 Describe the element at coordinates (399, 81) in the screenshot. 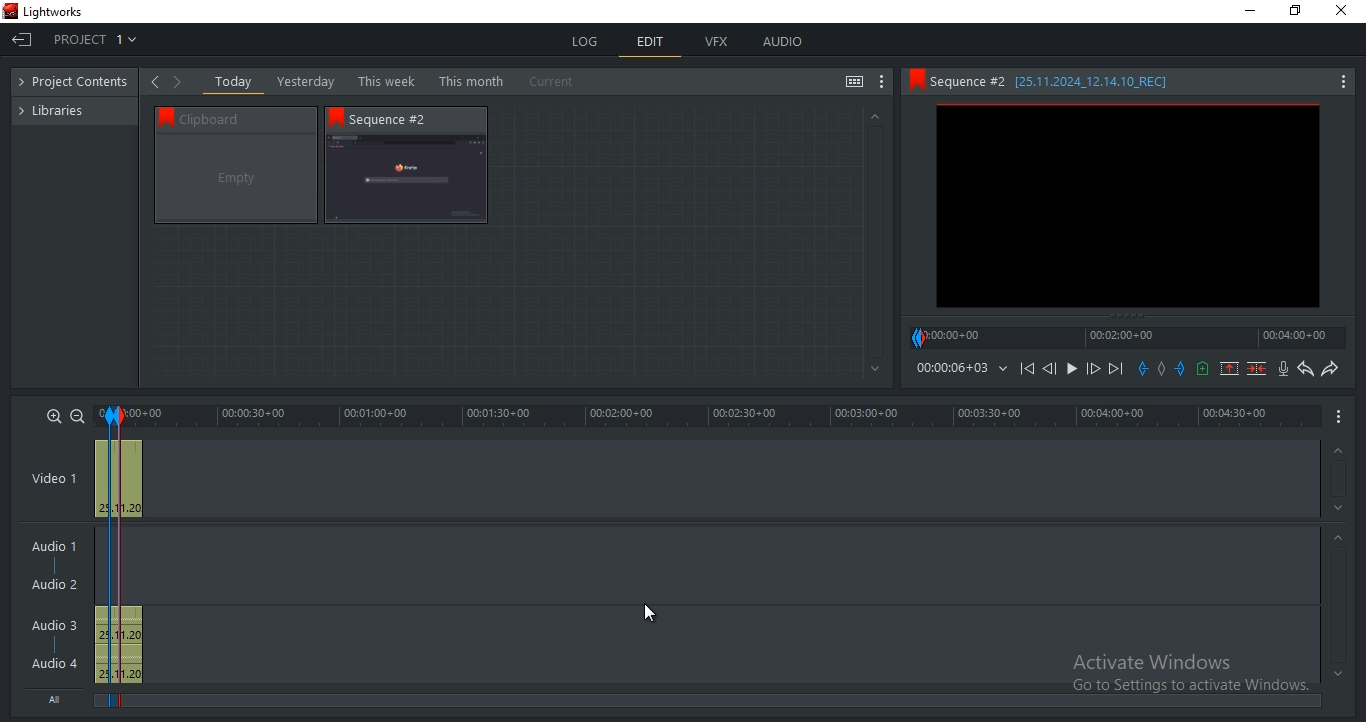

I see `Today, yesterday, This week, This month, Current` at that location.